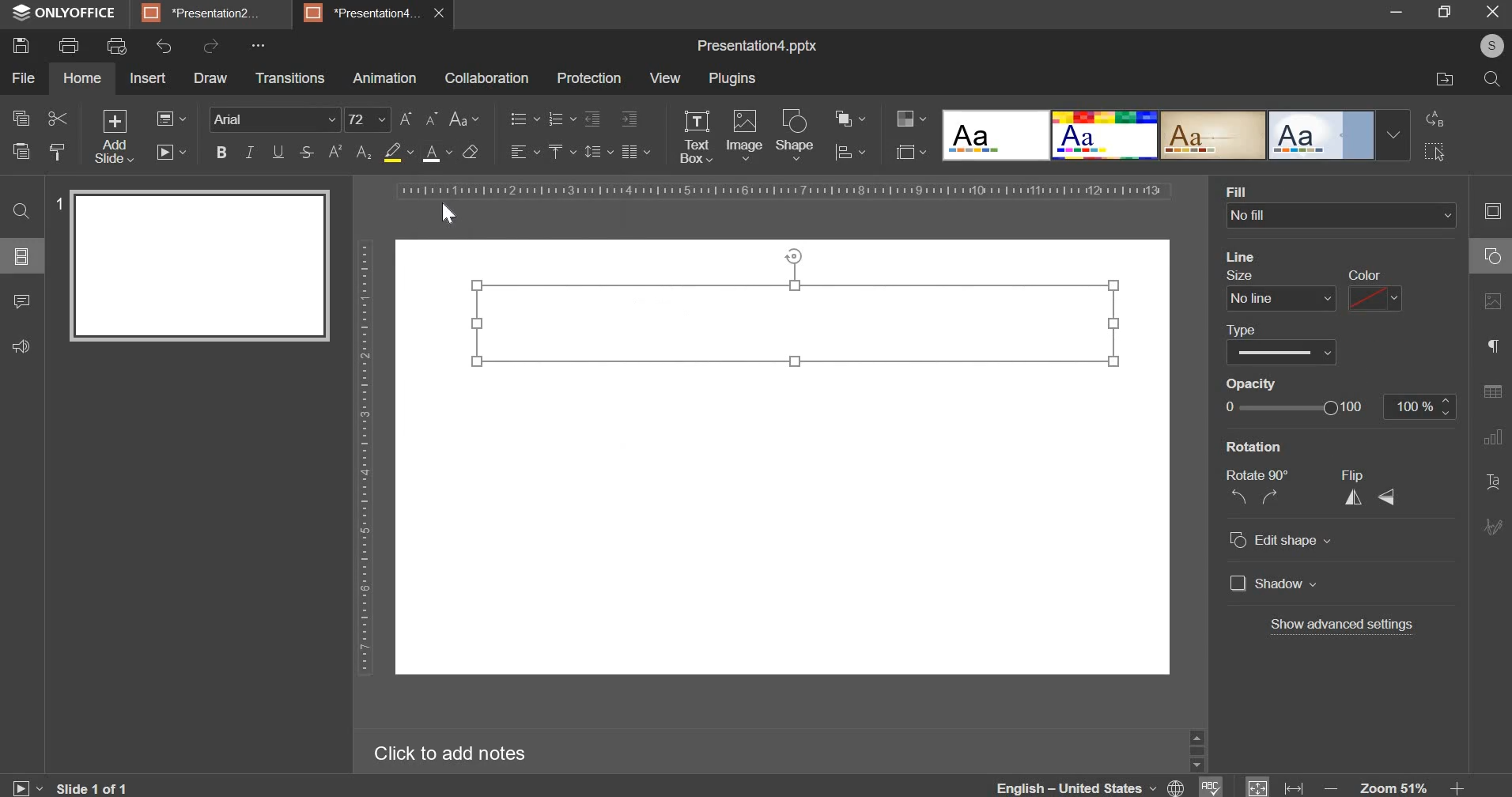 The height and width of the screenshot is (797, 1512). What do you see at coordinates (350, 152) in the screenshot?
I see `subscript & superscript` at bounding box center [350, 152].